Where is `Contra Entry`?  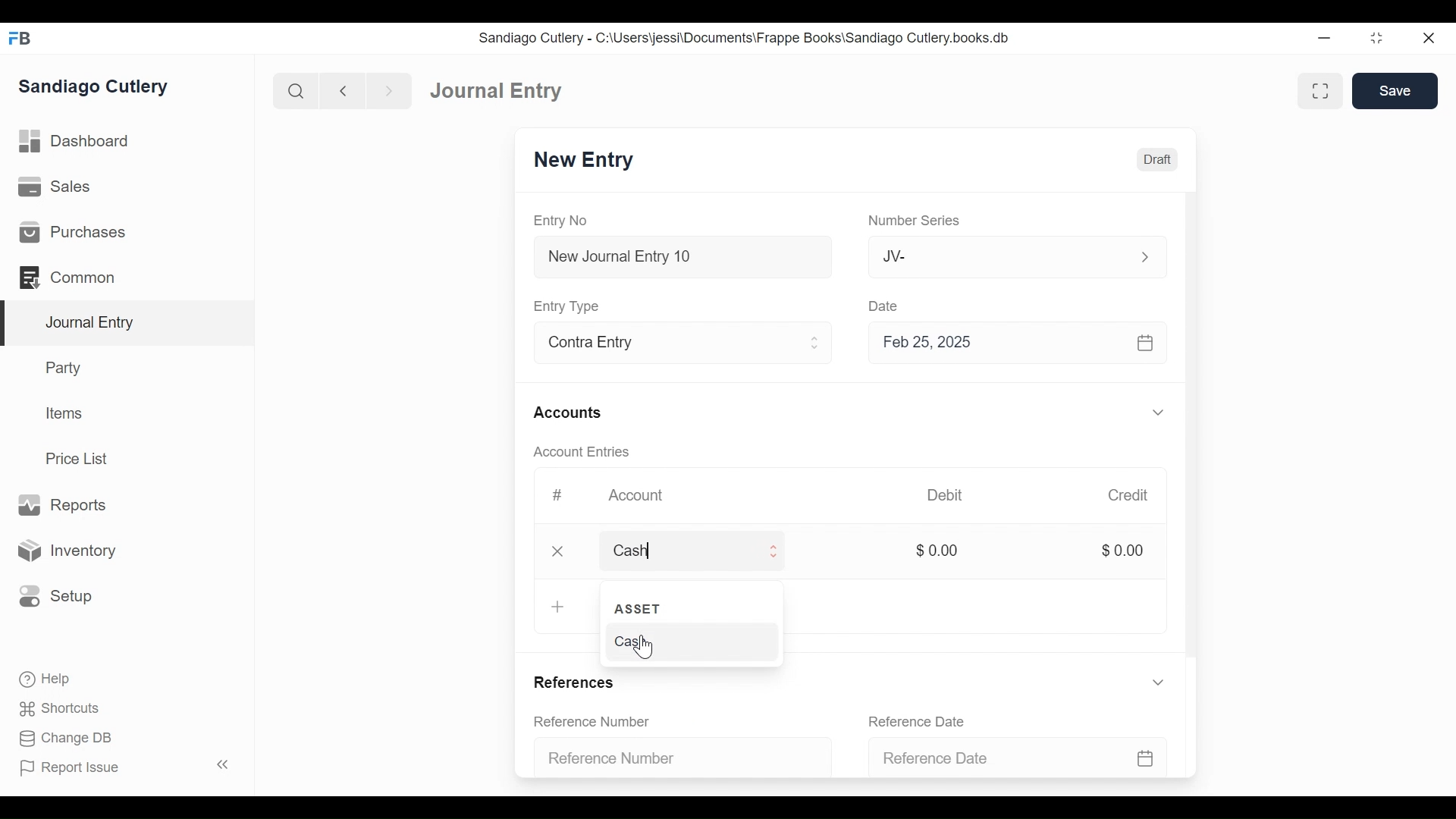
Contra Entry is located at coordinates (662, 344).